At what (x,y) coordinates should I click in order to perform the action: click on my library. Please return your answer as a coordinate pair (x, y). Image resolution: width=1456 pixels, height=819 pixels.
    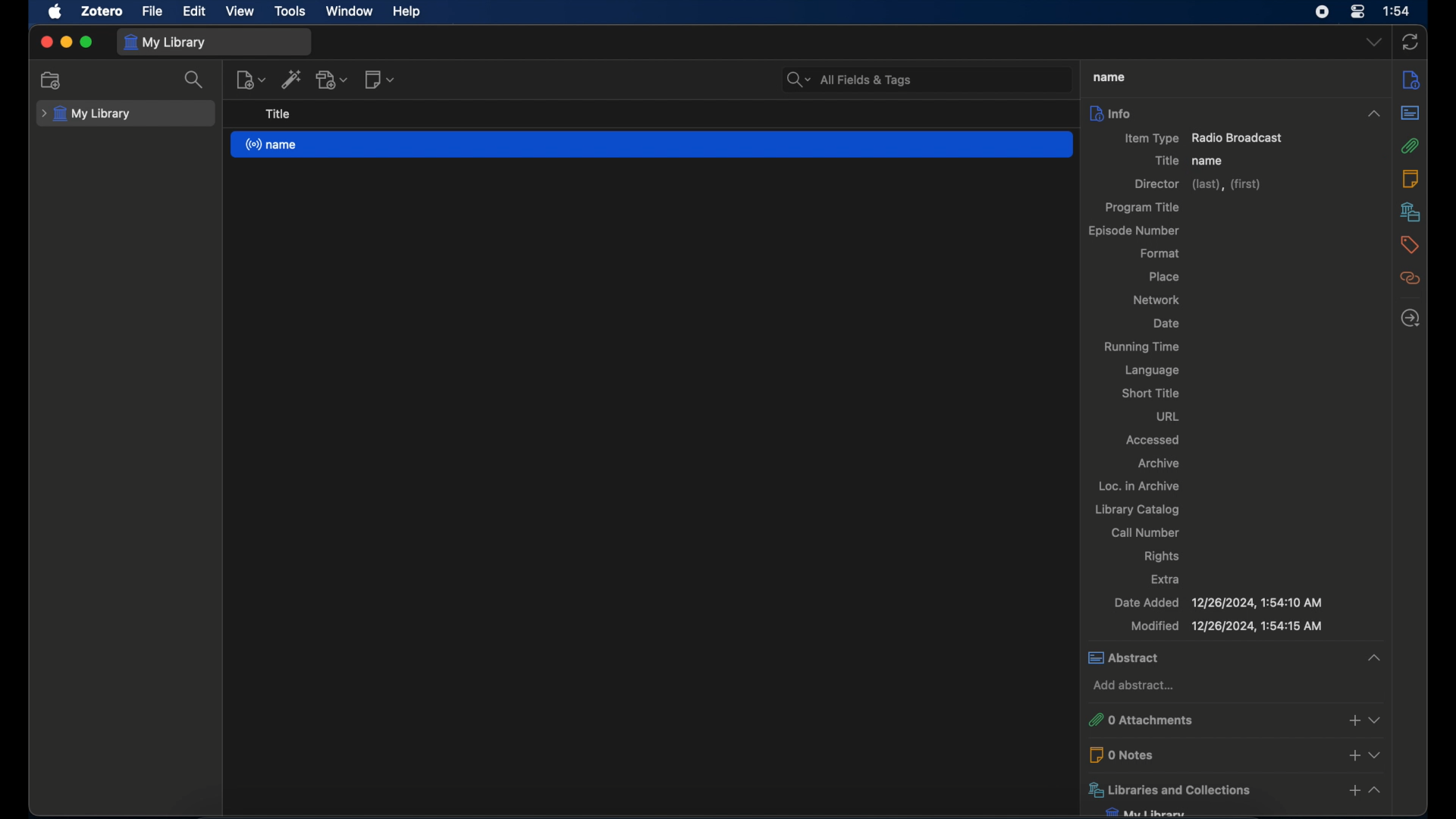
    Looking at the image, I should click on (88, 114).